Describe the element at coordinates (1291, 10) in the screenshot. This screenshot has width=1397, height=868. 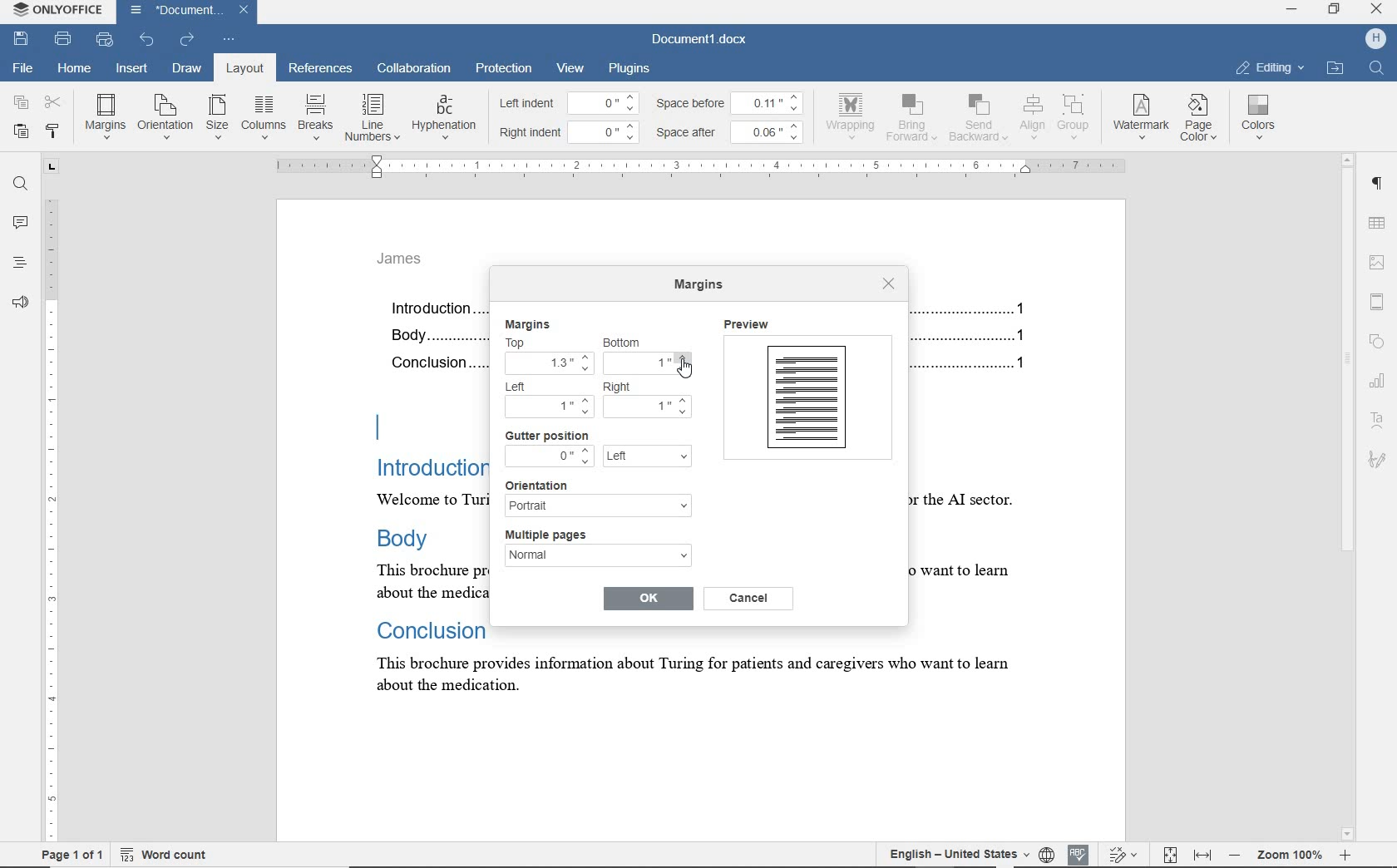
I see `MINIMIZE` at that location.